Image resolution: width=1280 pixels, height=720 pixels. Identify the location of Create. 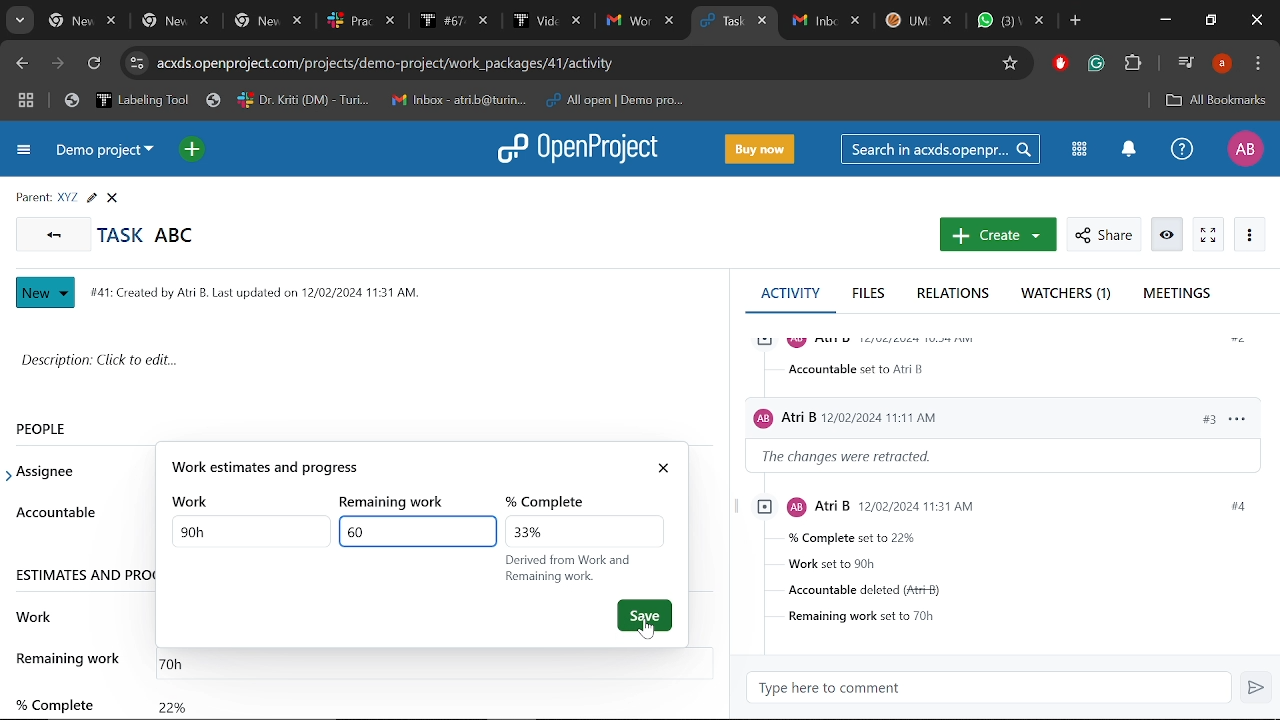
(995, 236).